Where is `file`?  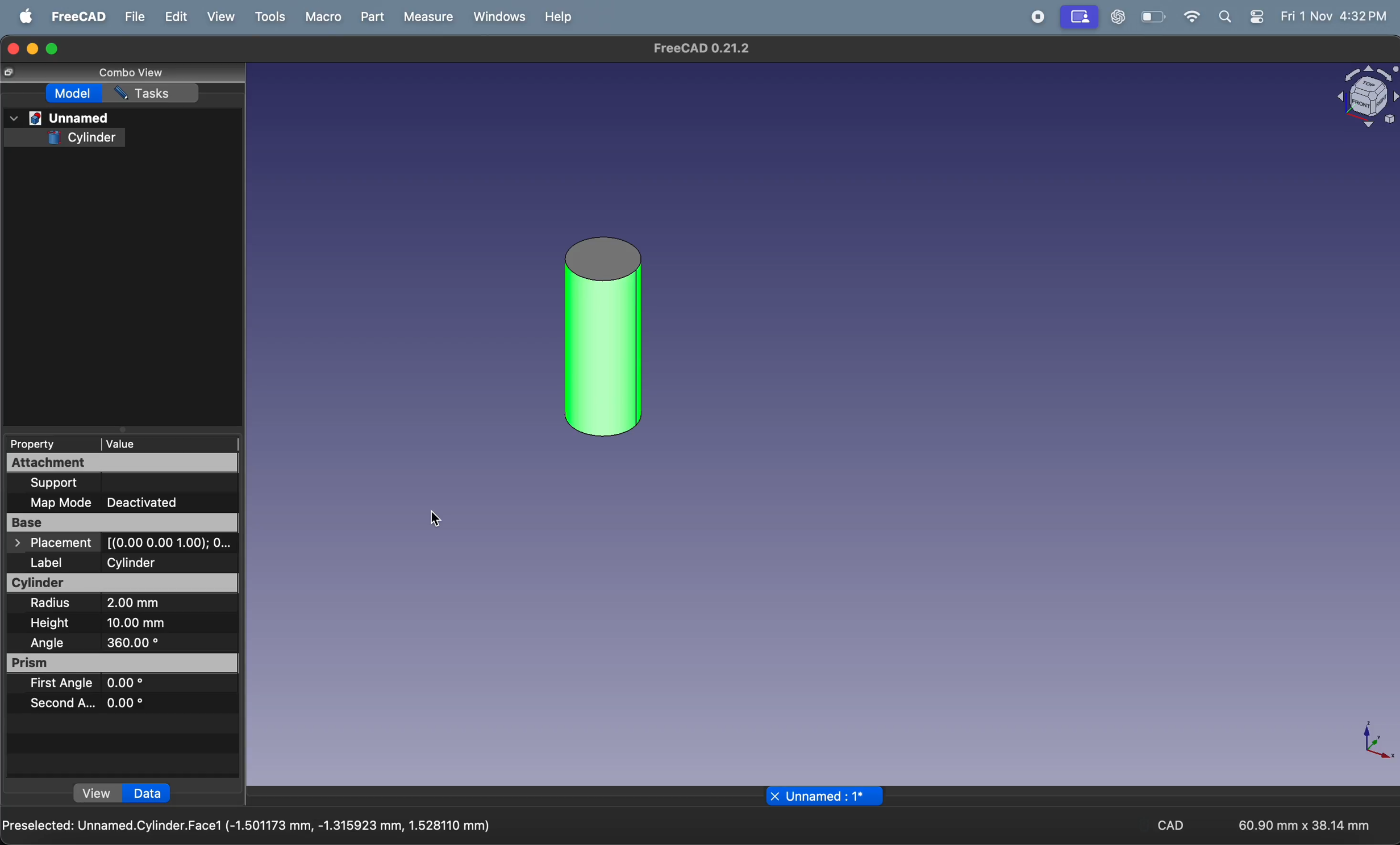 file is located at coordinates (132, 17).